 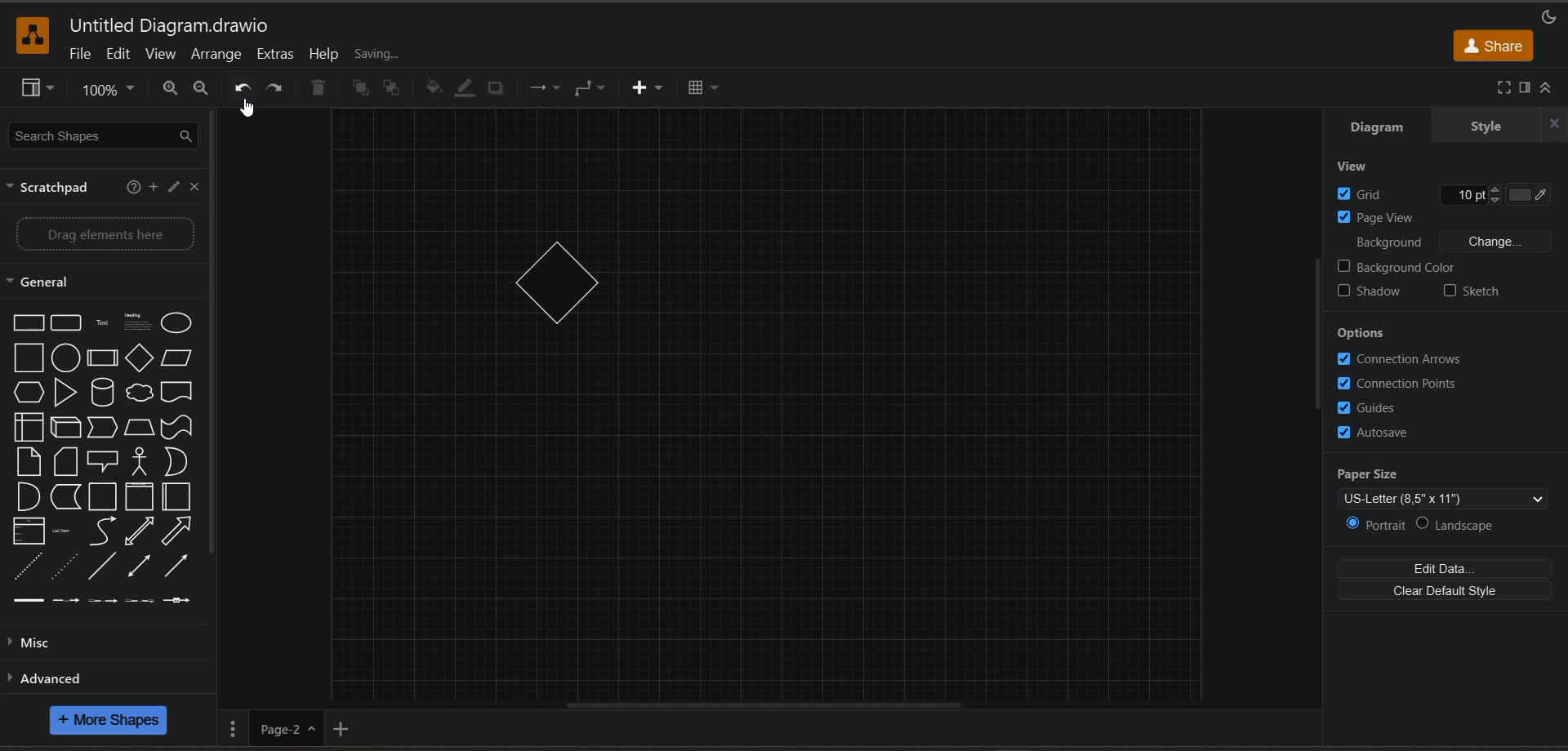 I want to click on collapse/expand, so click(x=1549, y=86).